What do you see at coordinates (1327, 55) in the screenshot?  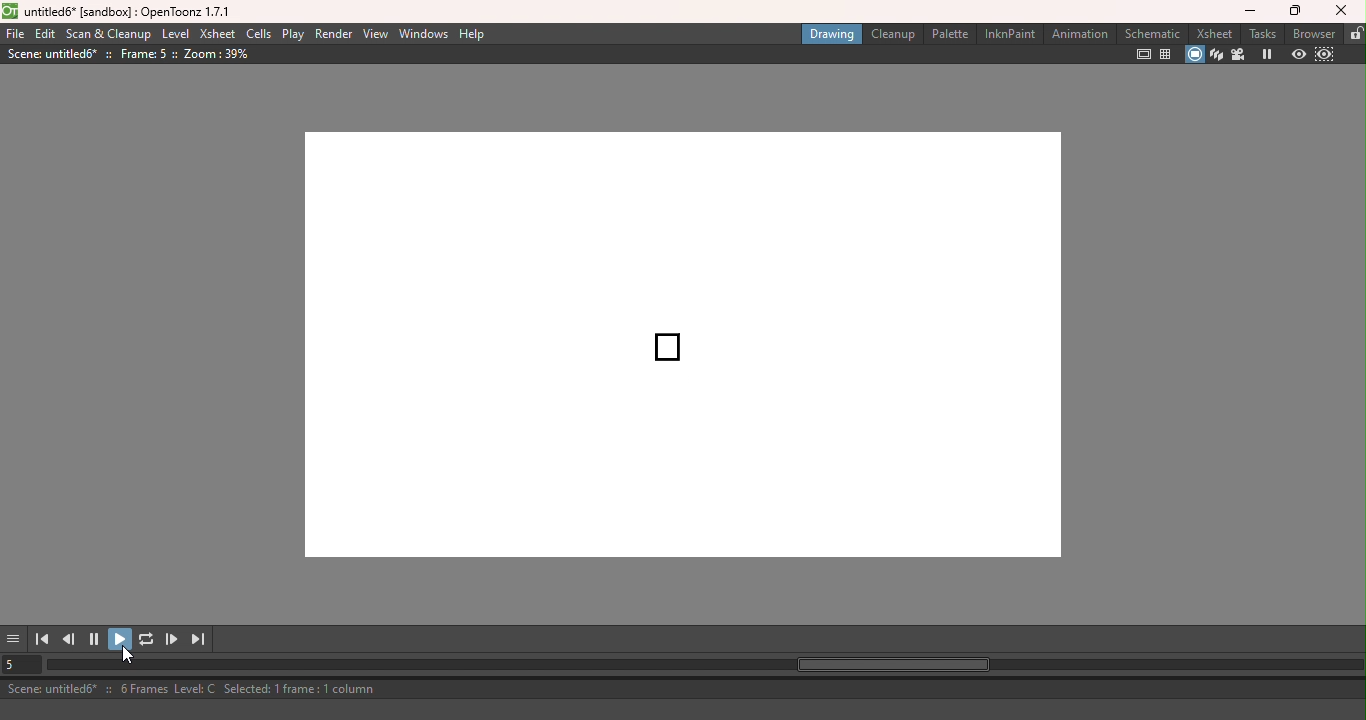 I see `Sub-camera preview` at bounding box center [1327, 55].